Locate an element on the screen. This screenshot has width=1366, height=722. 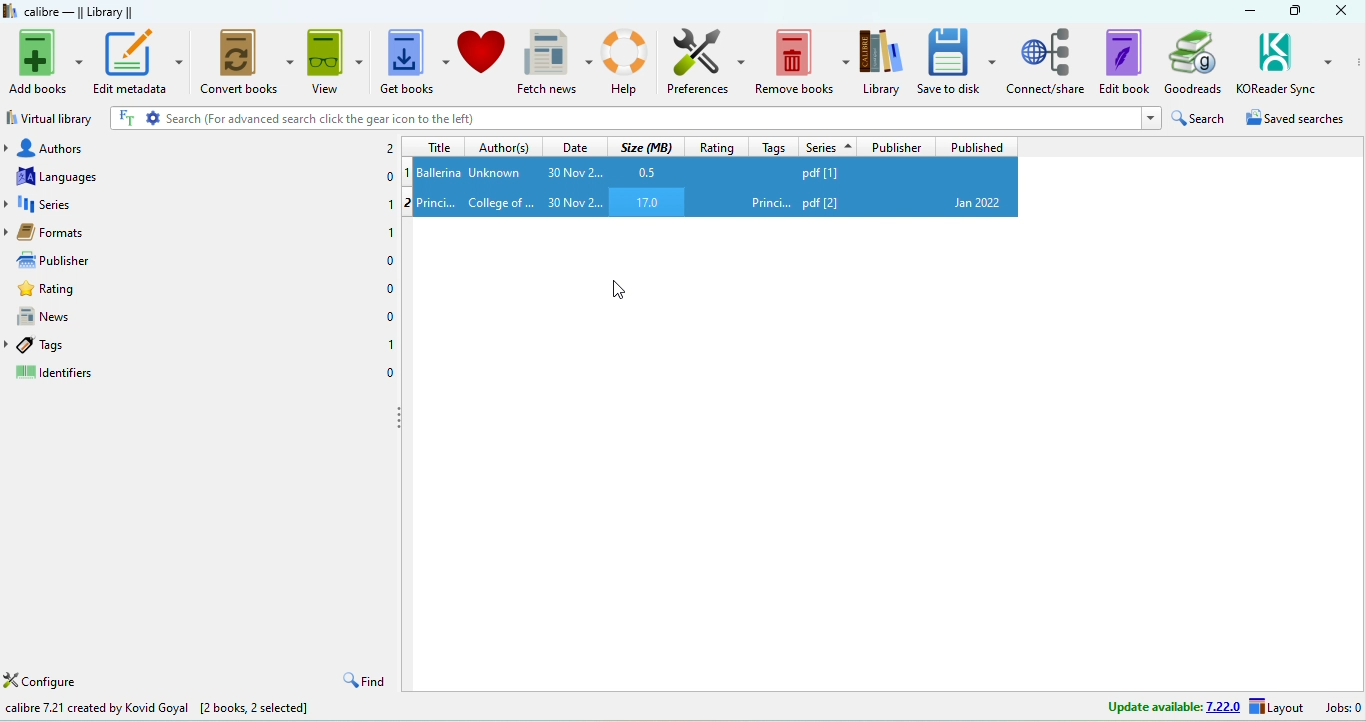
2 princi... is located at coordinates (432, 203).